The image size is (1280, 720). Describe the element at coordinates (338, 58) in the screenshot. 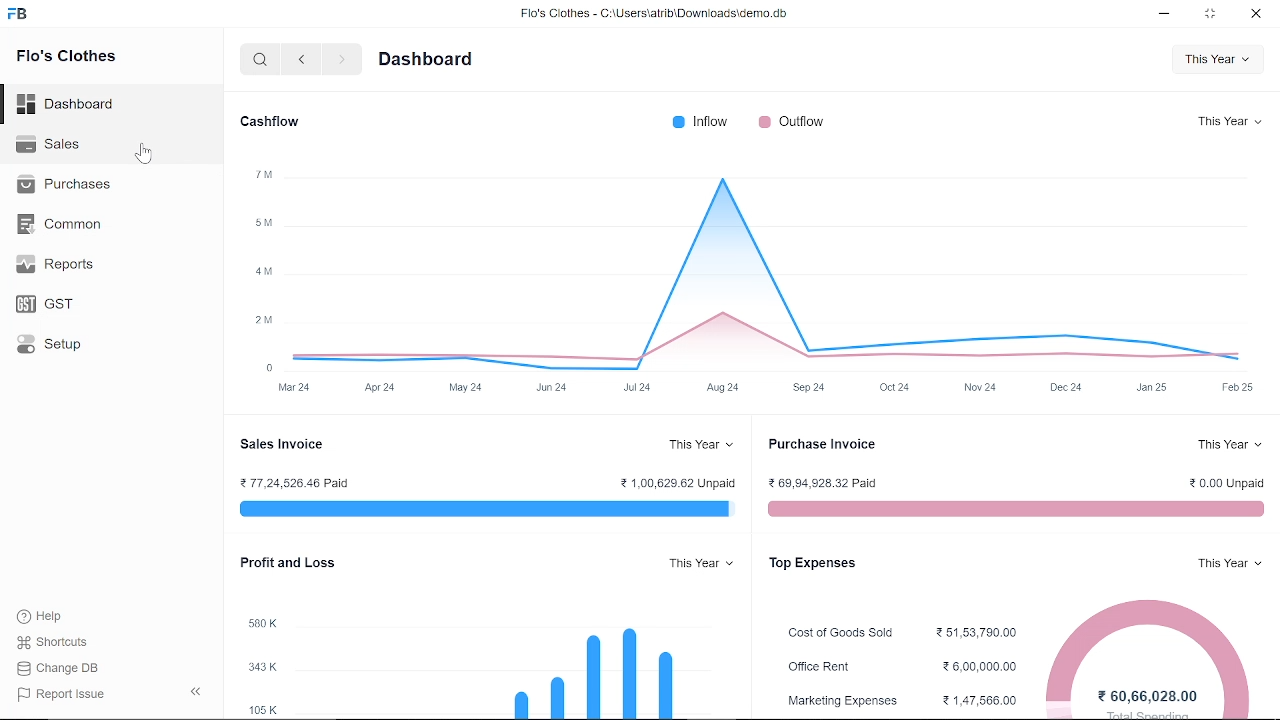

I see `next` at that location.